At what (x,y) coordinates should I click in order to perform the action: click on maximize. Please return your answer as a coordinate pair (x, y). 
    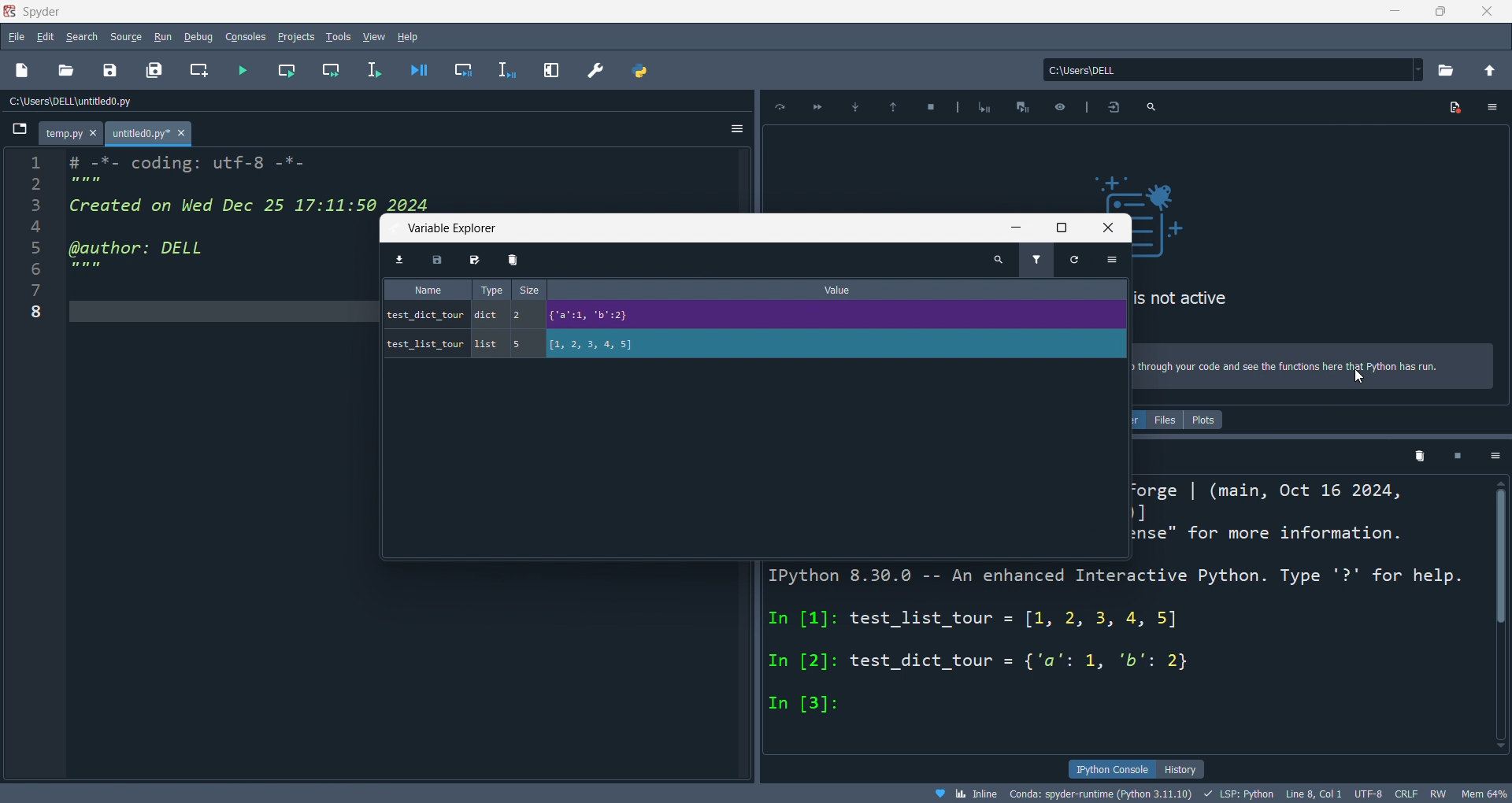
    Looking at the image, I should click on (1058, 229).